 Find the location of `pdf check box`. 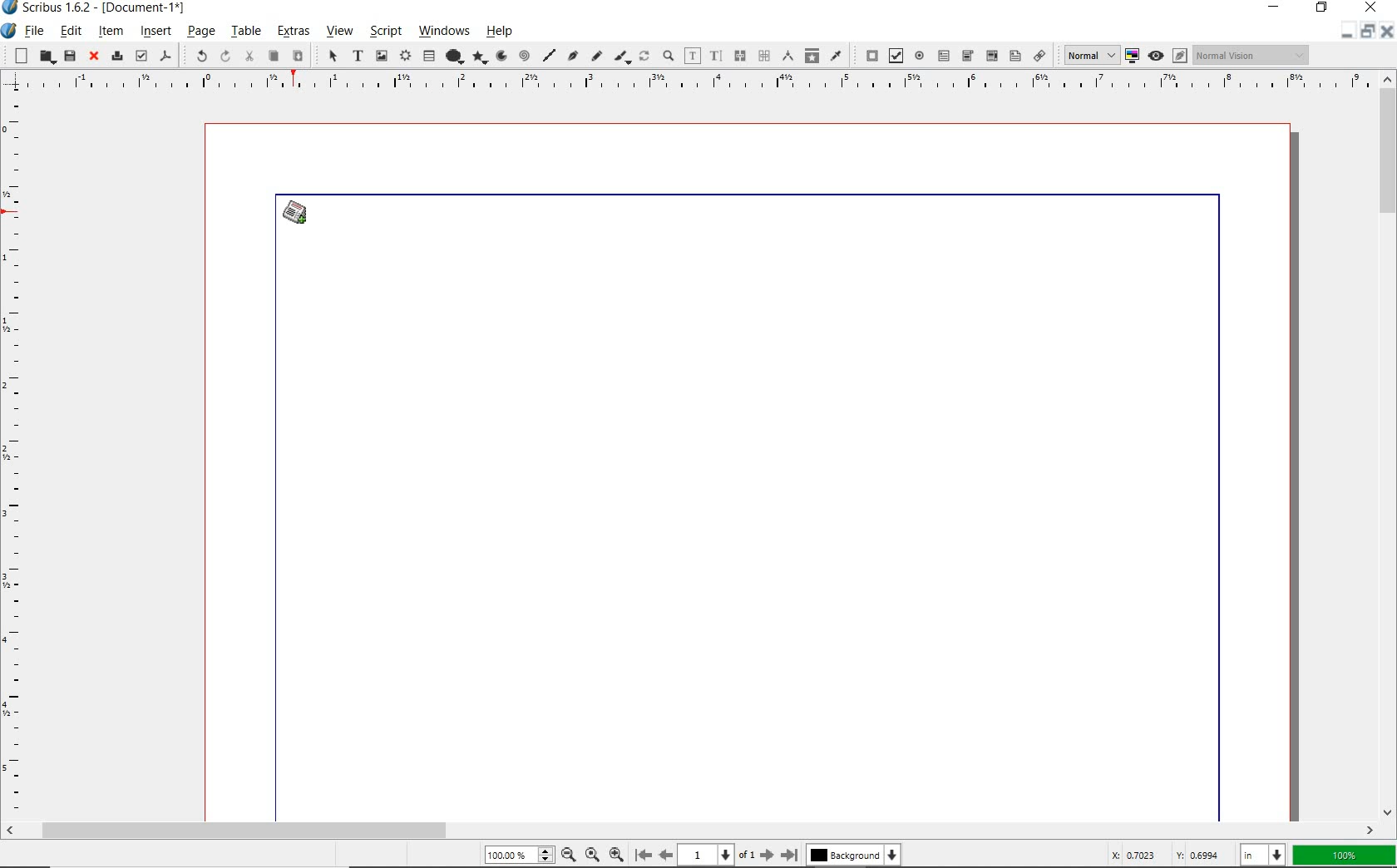

pdf check box is located at coordinates (896, 56).